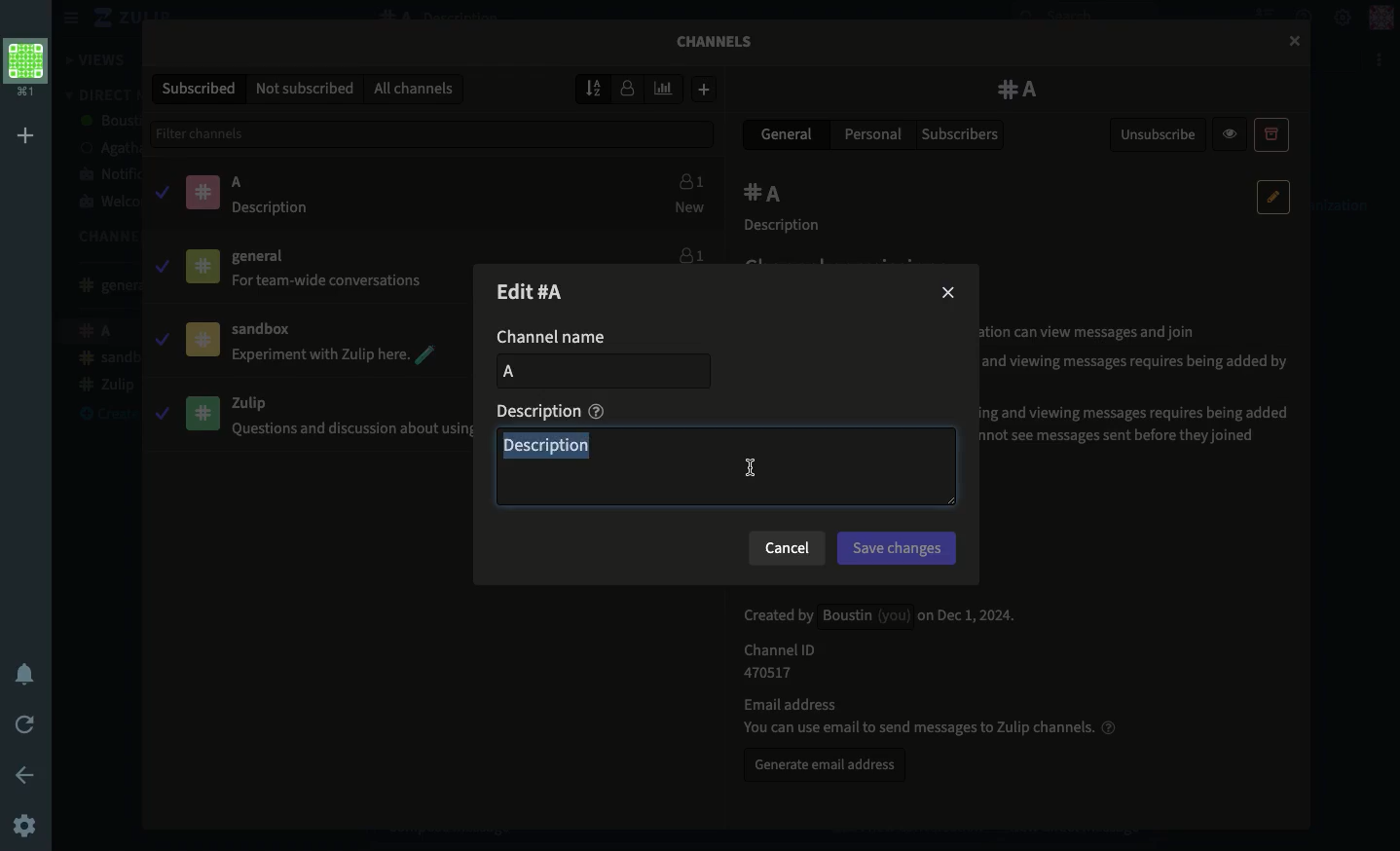  Describe the element at coordinates (826, 768) in the screenshot. I see `Generate email address` at that location.